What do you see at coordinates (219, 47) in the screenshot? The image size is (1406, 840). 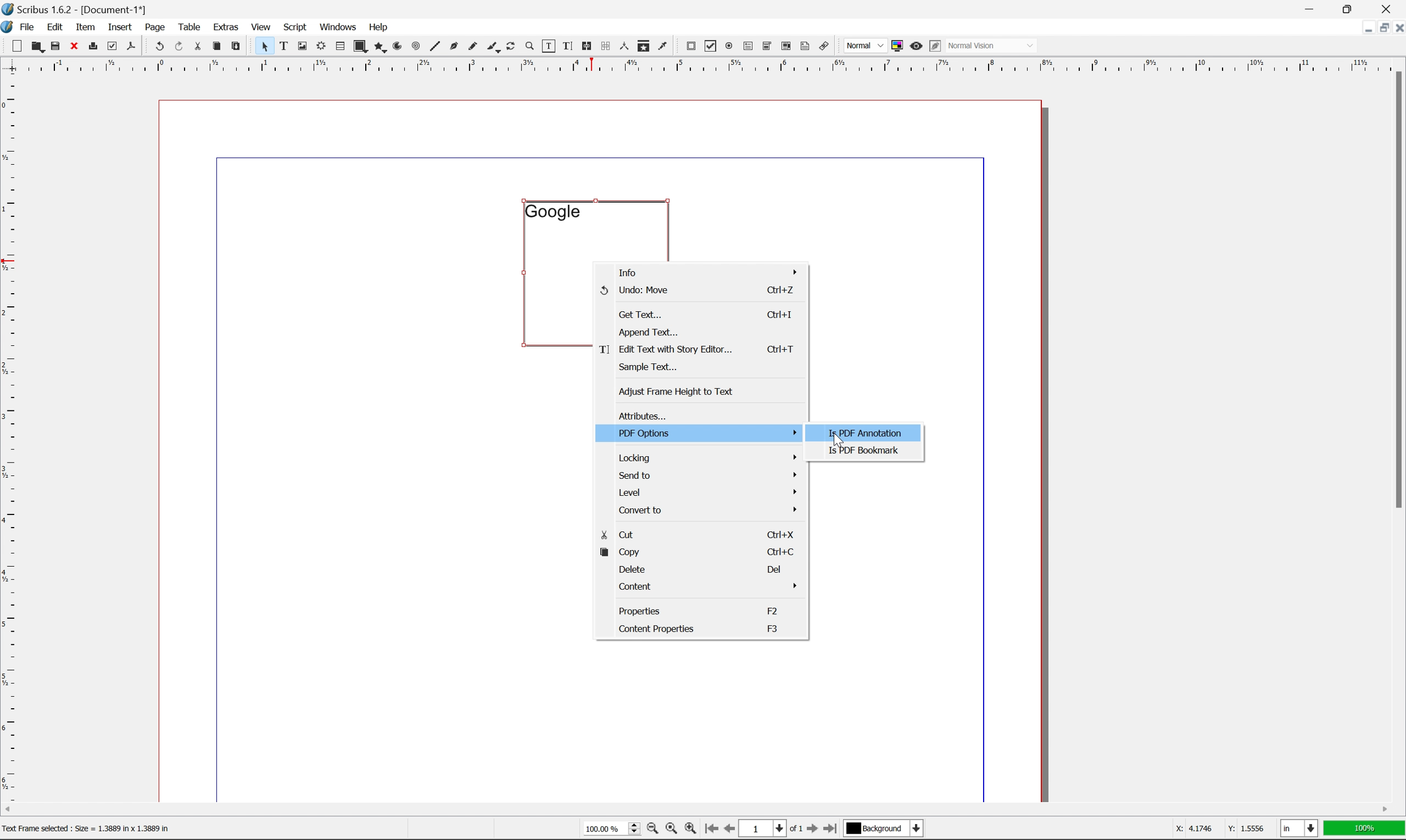 I see `copy` at bounding box center [219, 47].